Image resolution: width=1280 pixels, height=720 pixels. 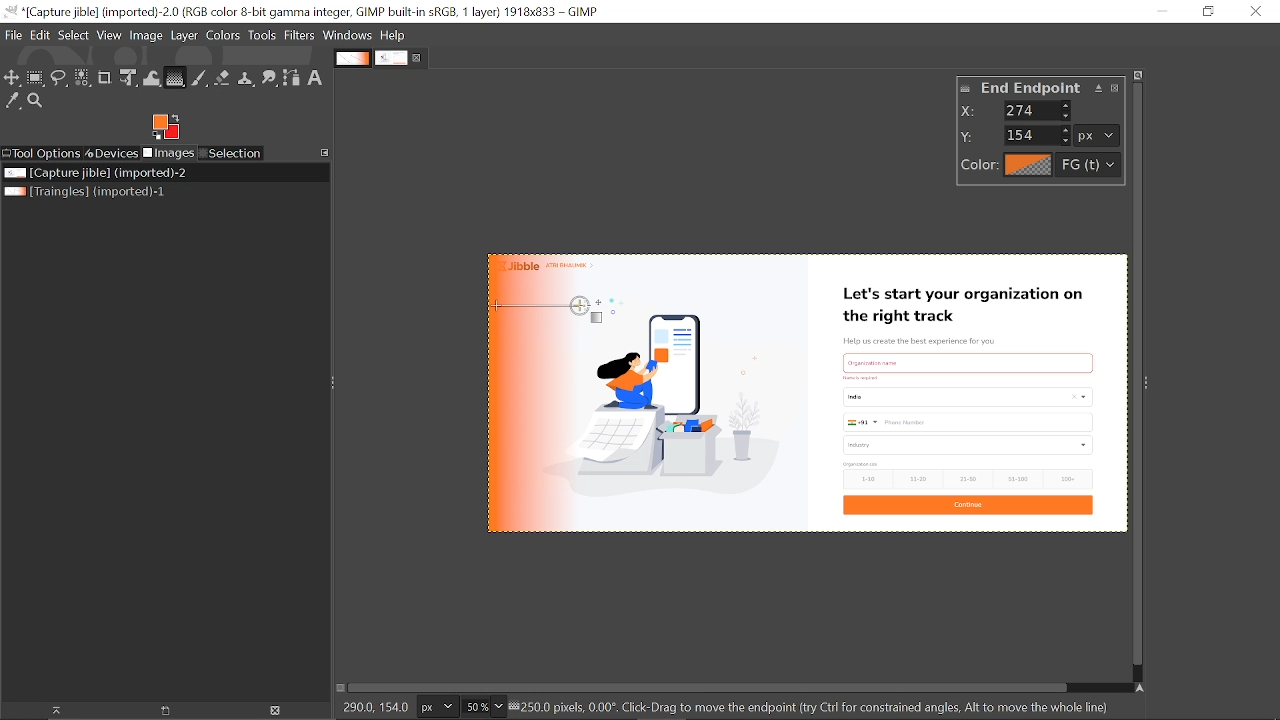 I want to click on Close, so click(x=1254, y=11).